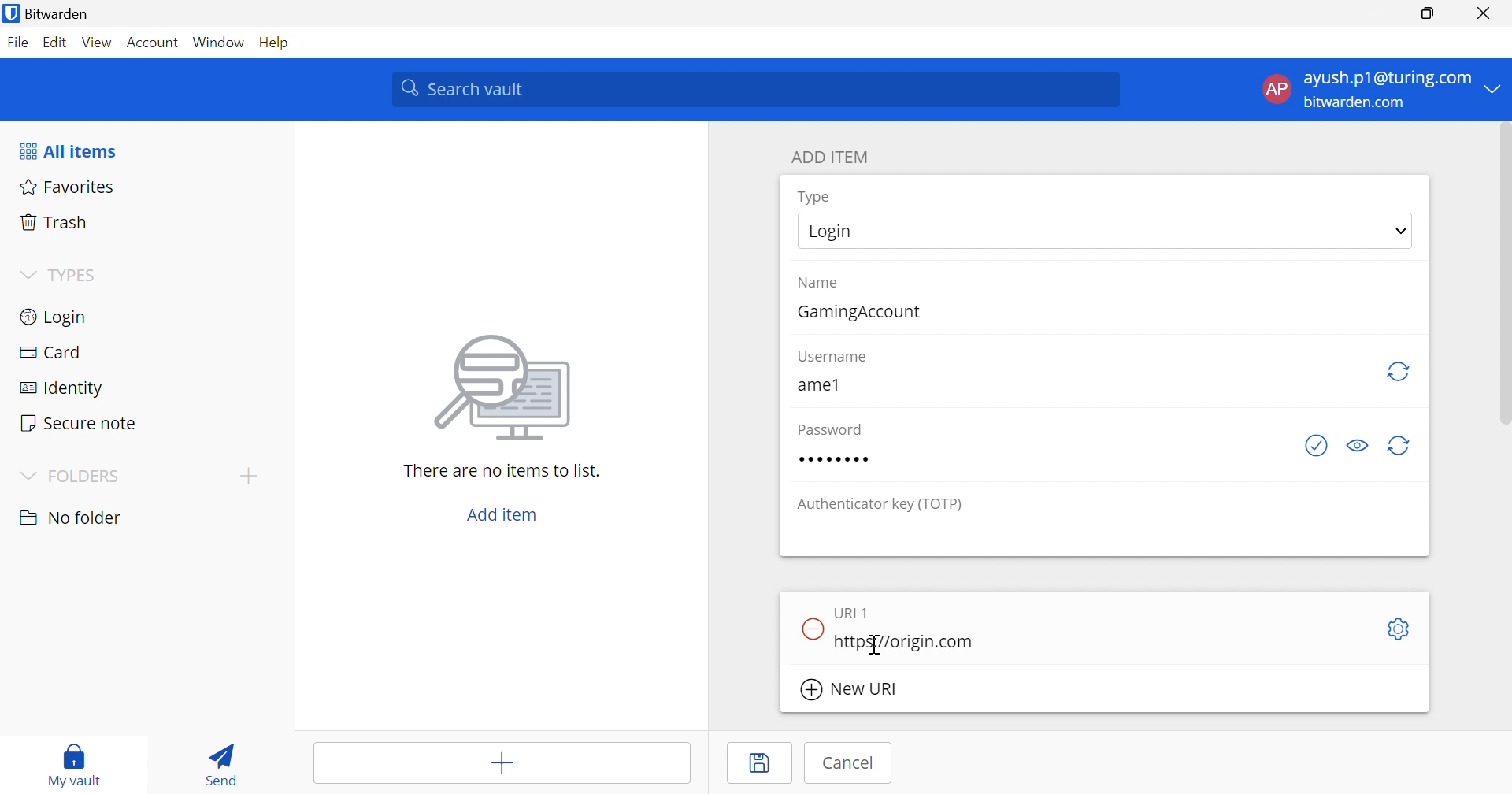 This screenshot has height=794, width=1512. What do you see at coordinates (1402, 629) in the screenshot?
I see `Settings` at bounding box center [1402, 629].